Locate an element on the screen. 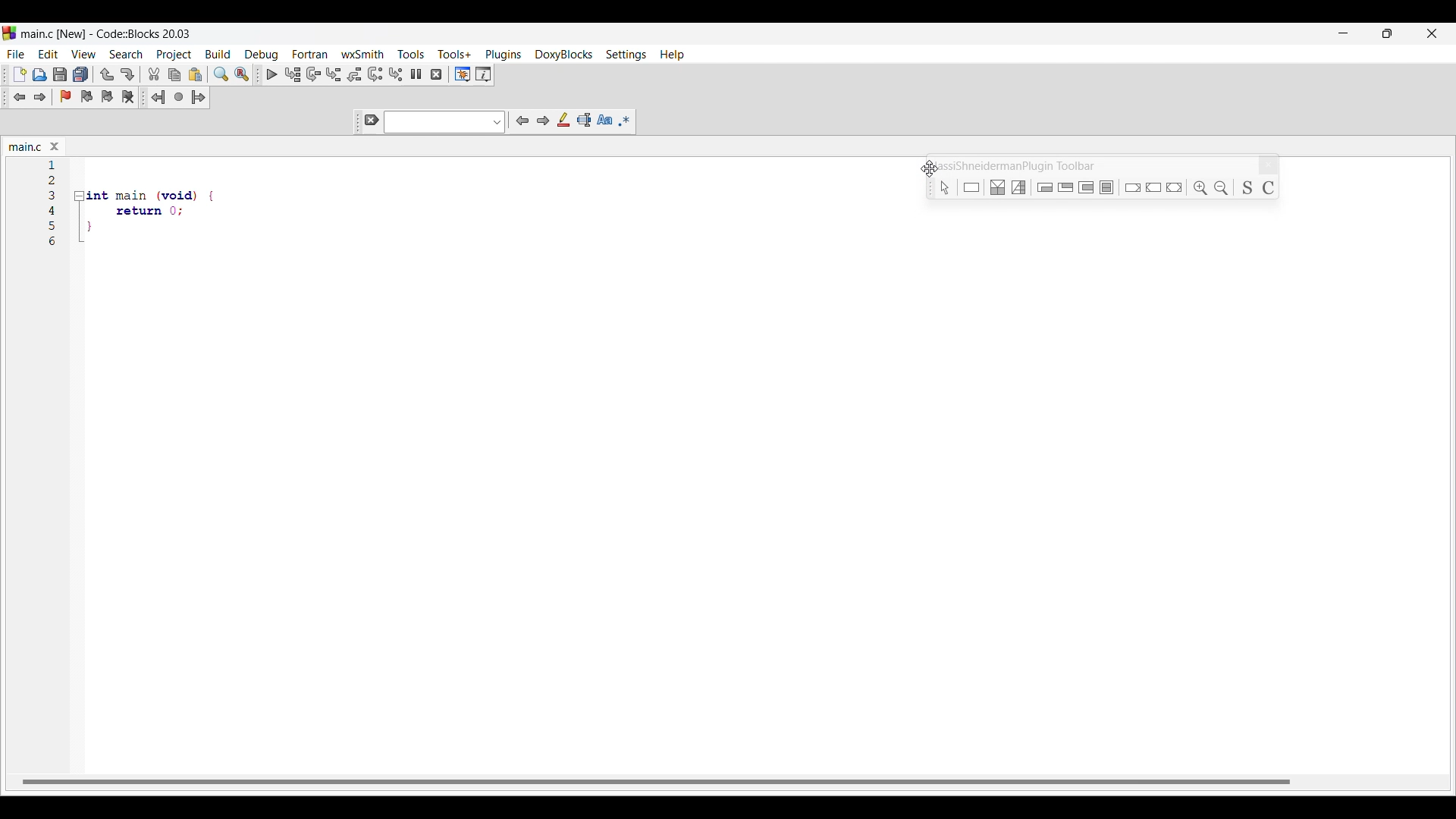 The height and width of the screenshot is (819, 1456).  is located at coordinates (1272, 186).